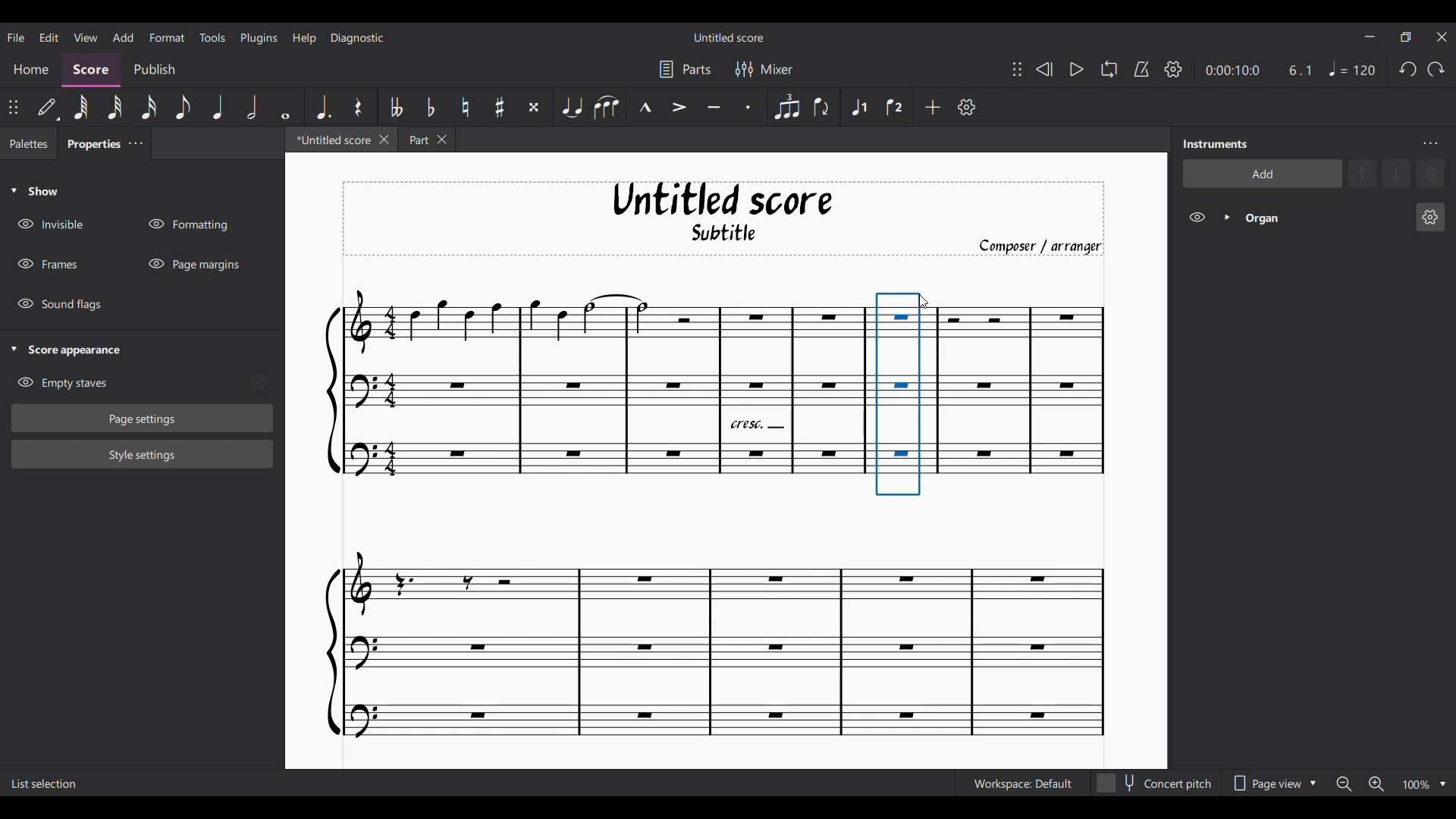 This screenshot has width=1456, height=819. Describe the element at coordinates (115, 108) in the screenshot. I see `32nd note` at that location.